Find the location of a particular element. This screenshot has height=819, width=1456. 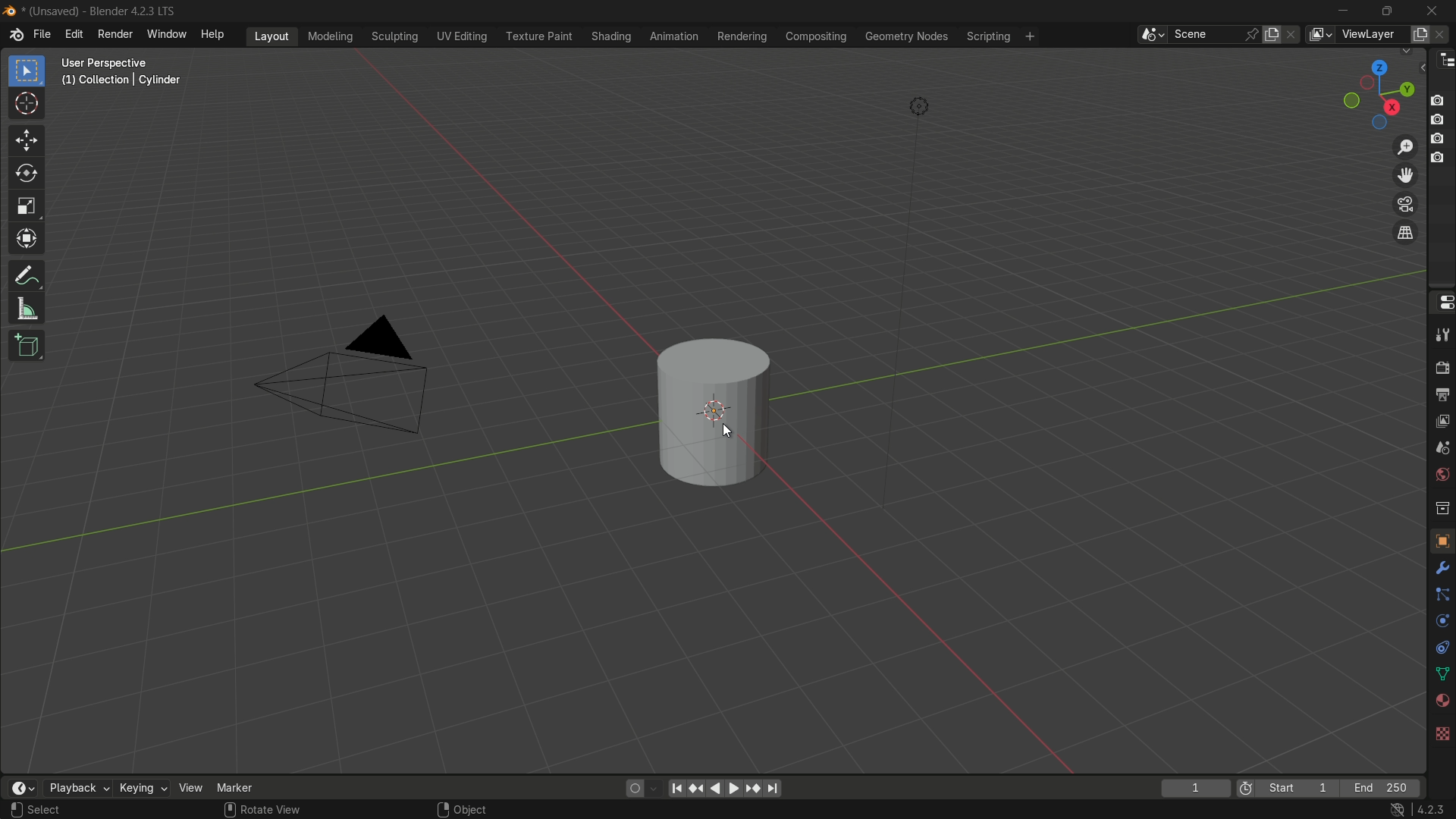

render menu is located at coordinates (115, 34).